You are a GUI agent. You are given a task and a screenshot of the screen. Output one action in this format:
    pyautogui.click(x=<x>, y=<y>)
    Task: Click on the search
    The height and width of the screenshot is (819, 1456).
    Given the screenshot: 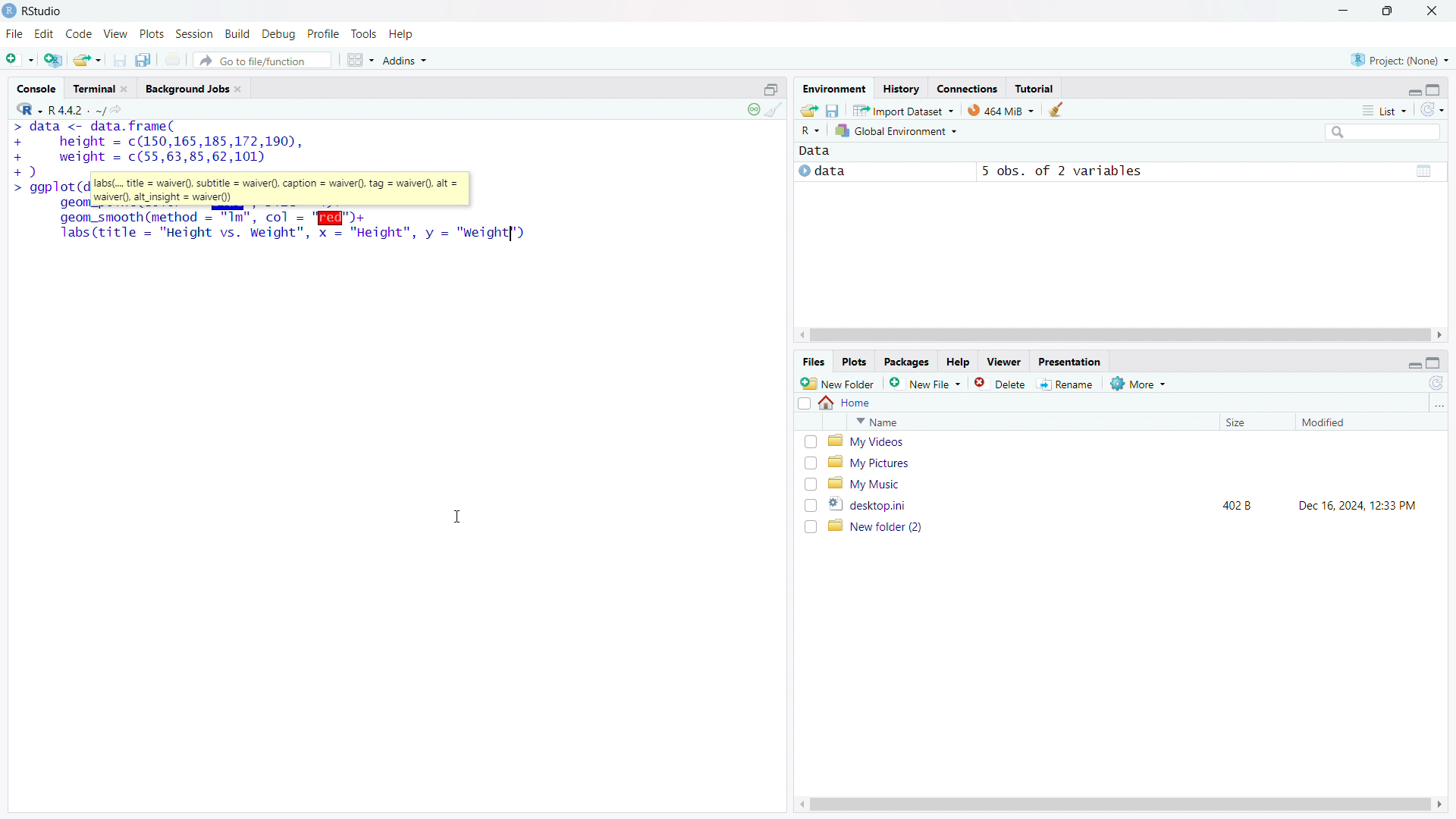 What is the action you would take?
    pyautogui.click(x=1381, y=131)
    